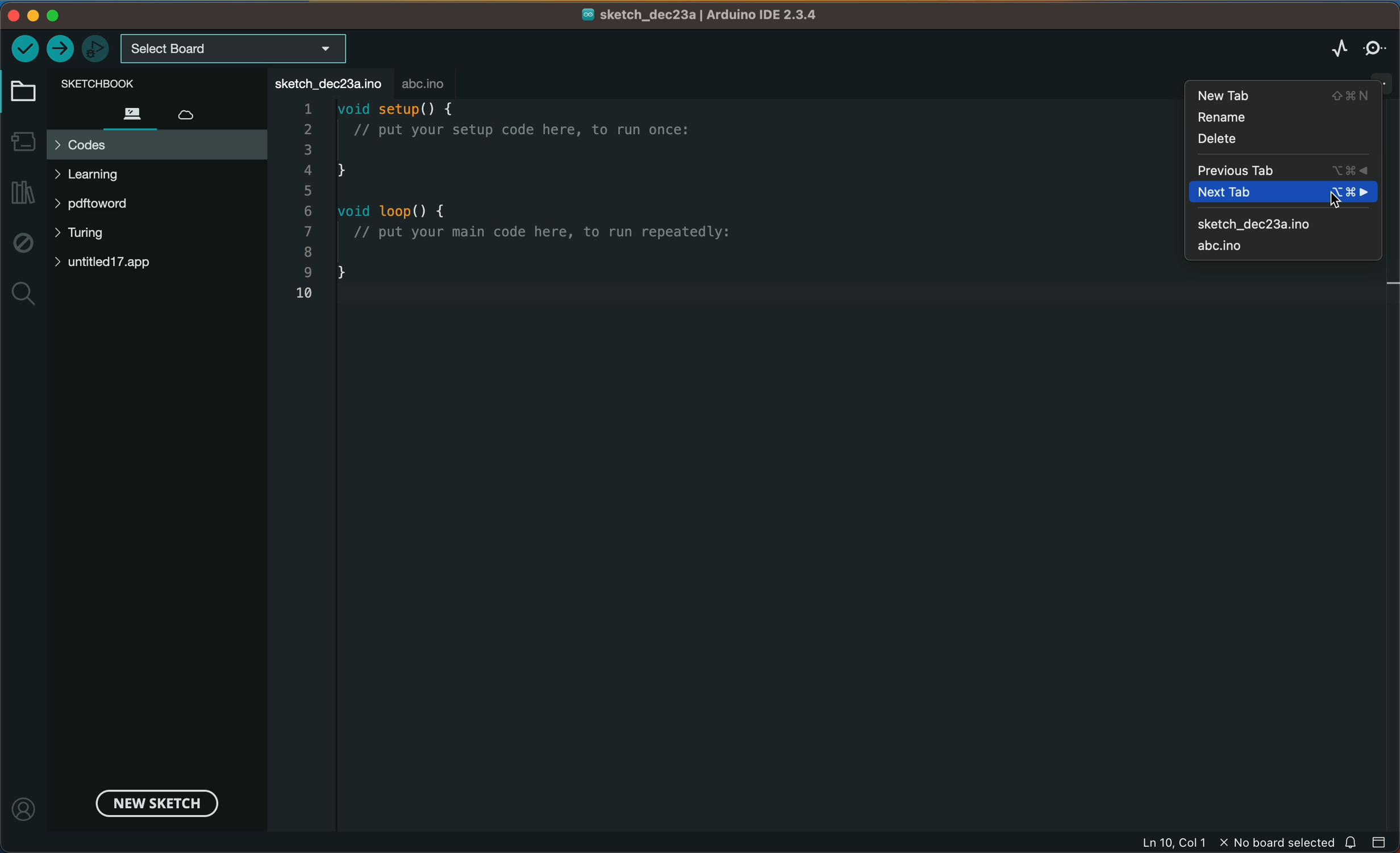 The width and height of the screenshot is (1400, 853). What do you see at coordinates (155, 801) in the screenshot?
I see `new sketch` at bounding box center [155, 801].